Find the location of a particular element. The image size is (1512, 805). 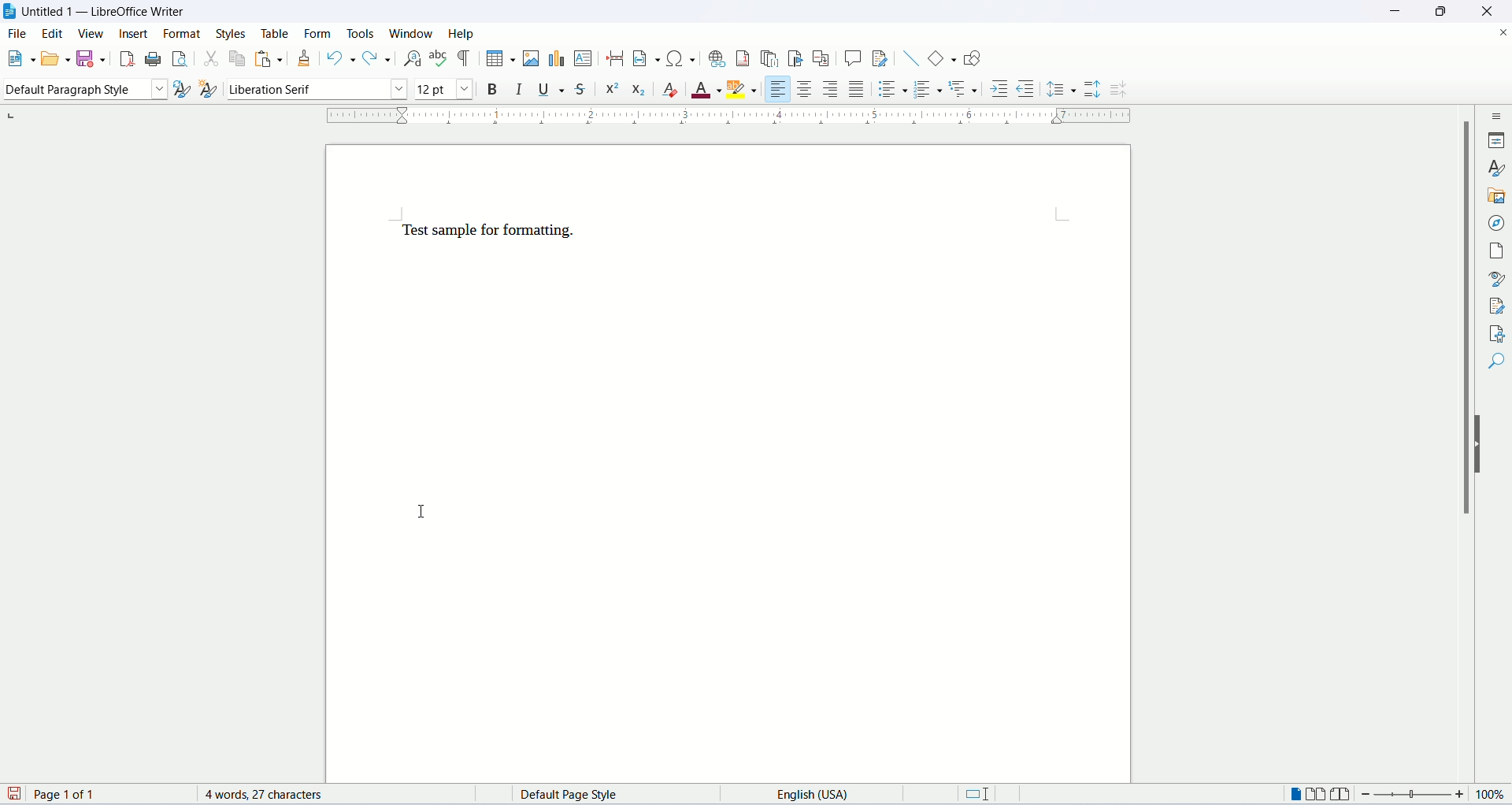

insert bookmark is located at coordinates (798, 58).